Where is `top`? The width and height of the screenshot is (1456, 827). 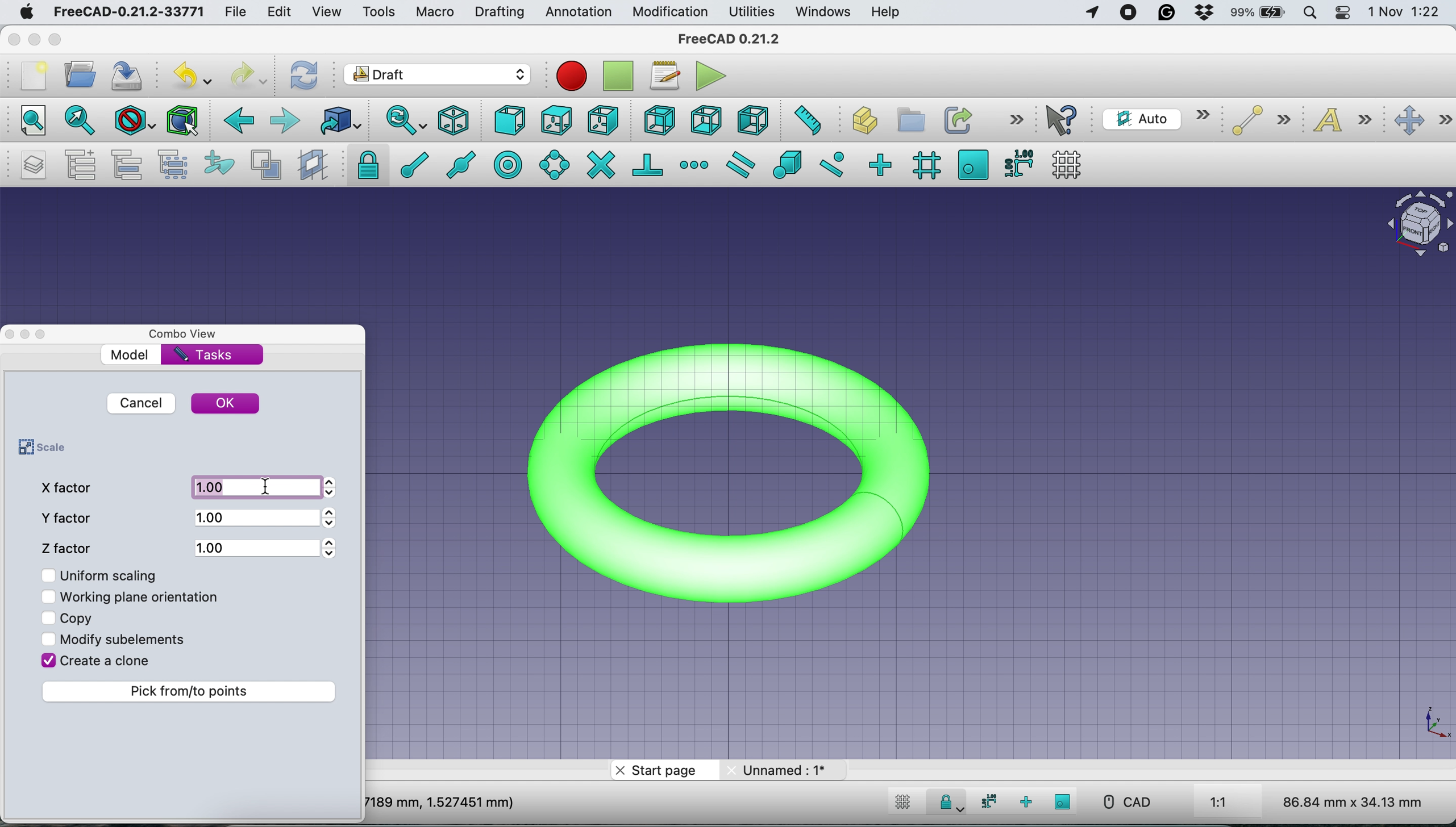
top is located at coordinates (555, 119).